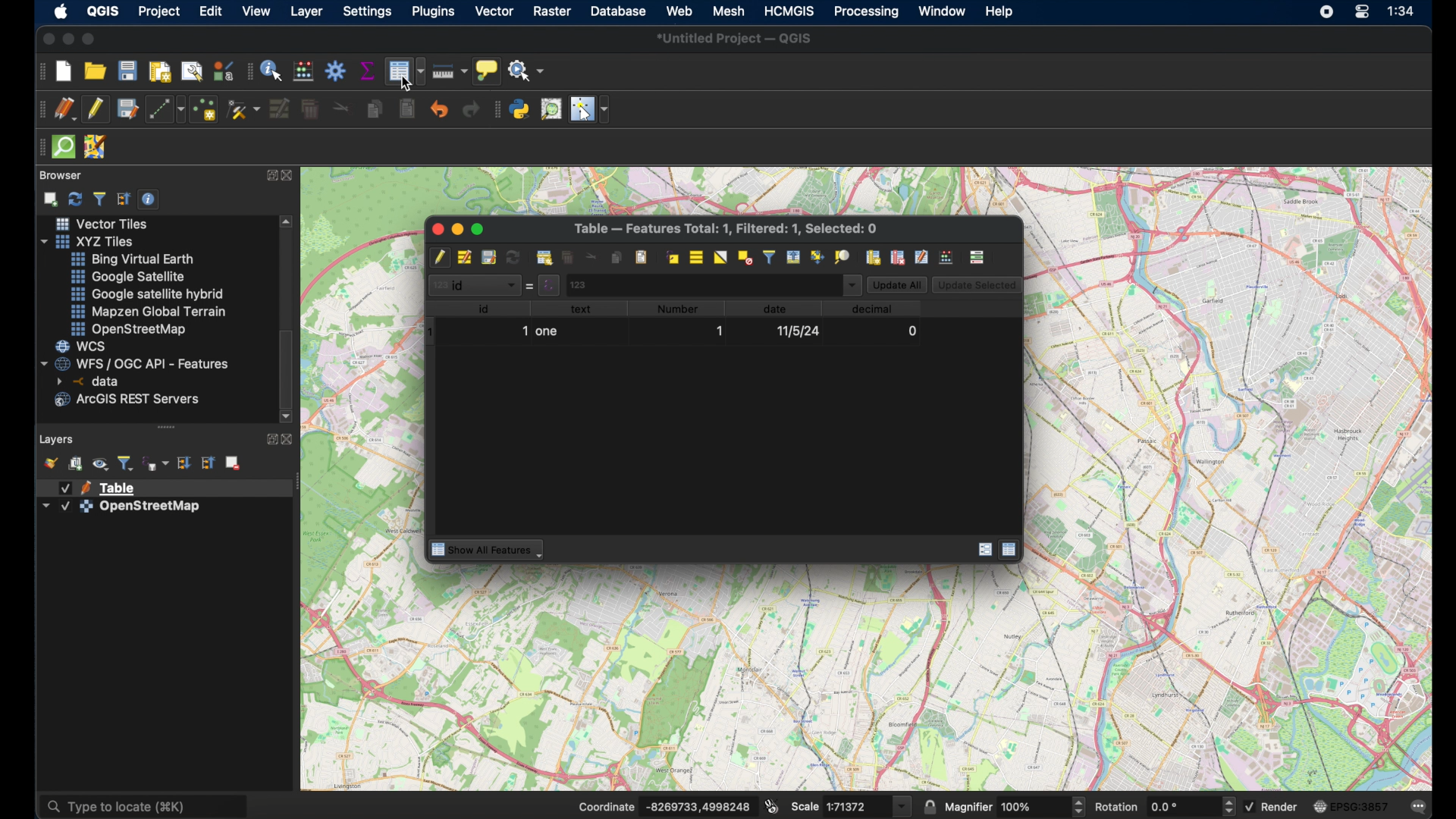 Image resolution: width=1456 pixels, height=819 pixels. Describe the element at coordinates (125, 69) in the screenshot. I see `save project` at that location.